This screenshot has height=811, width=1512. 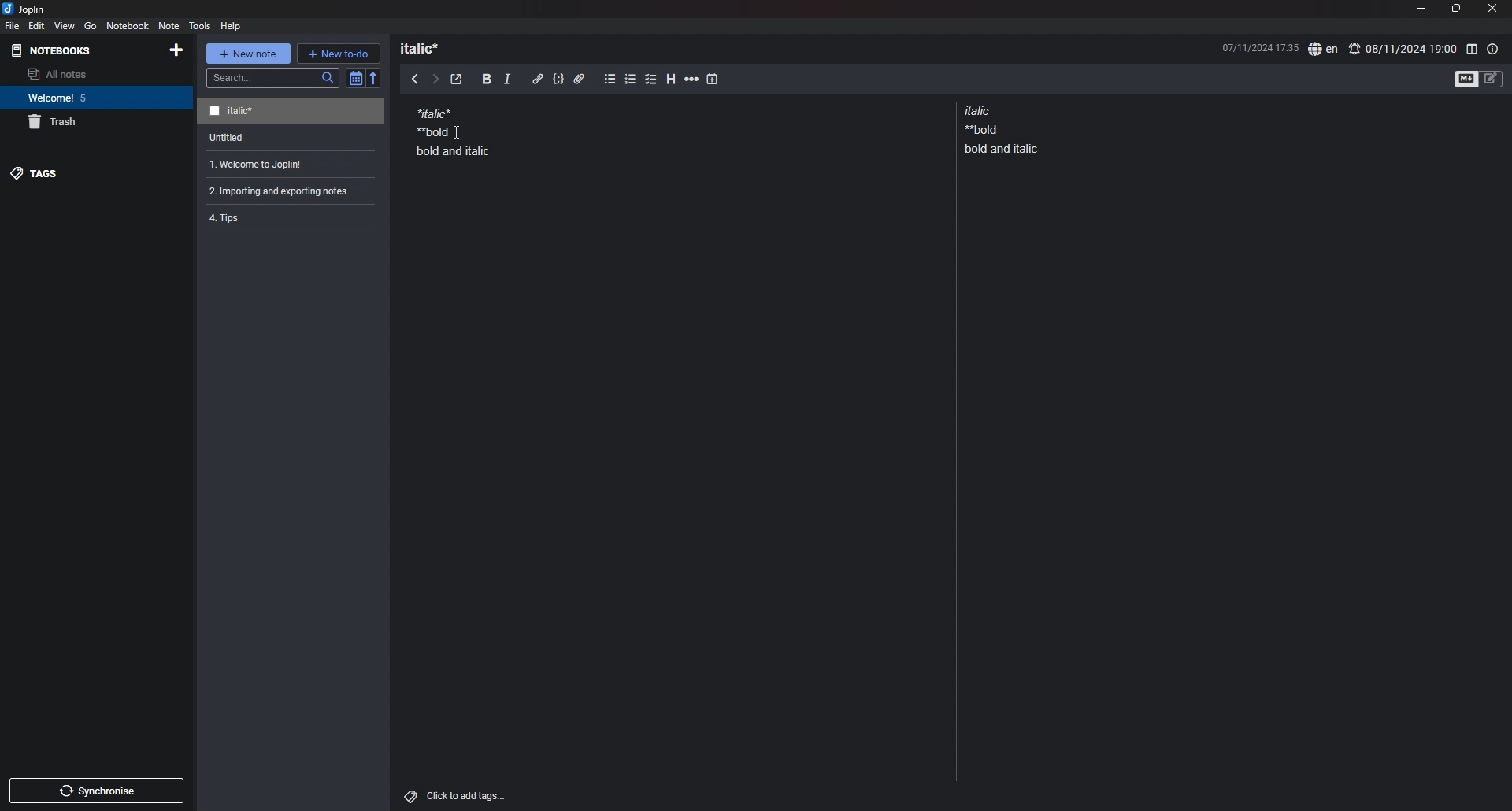 What do you see at coordinates (713, 79) in the screenshot?
I see `add time` at bounding box center [713, 79].